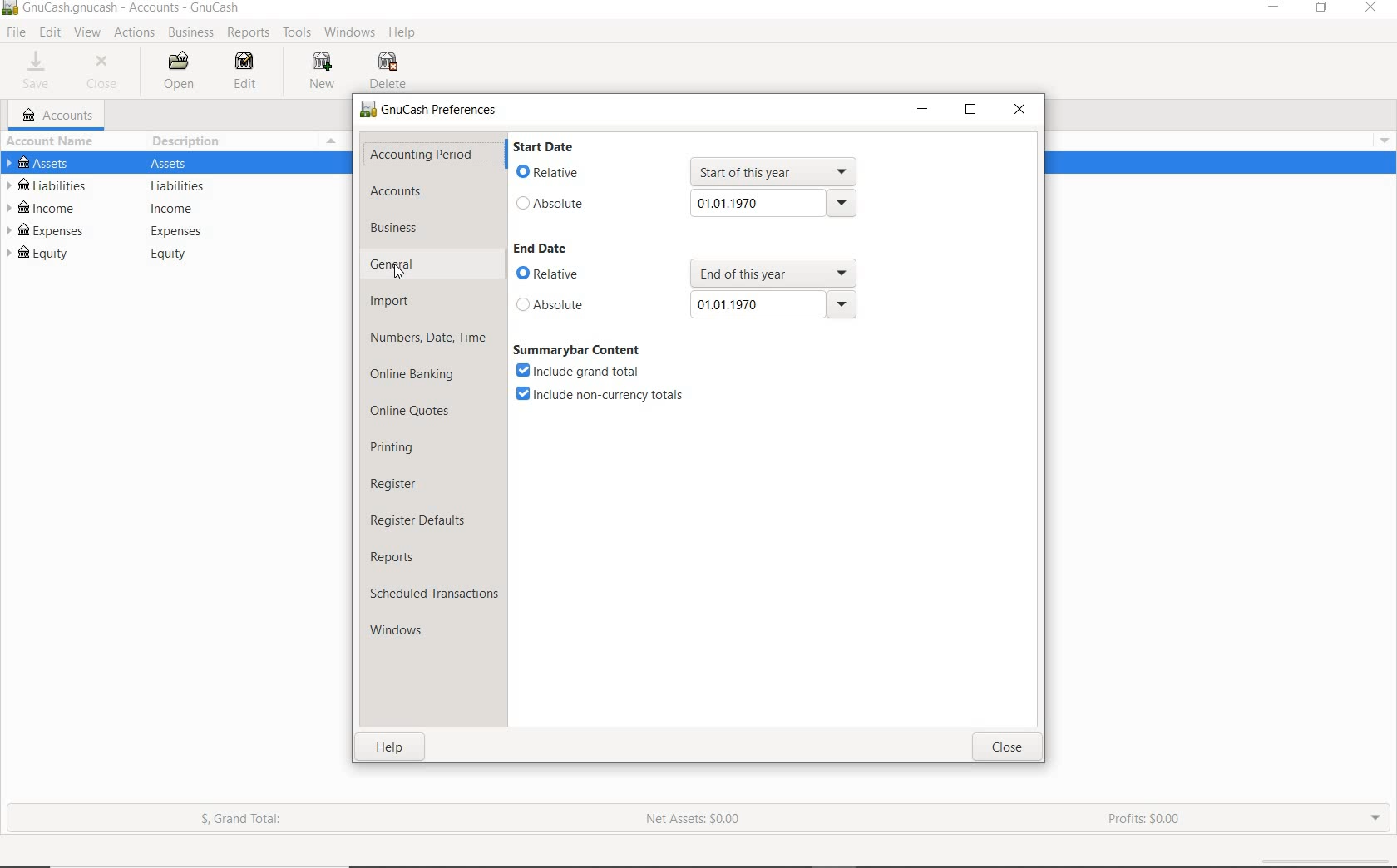  Describe the element at coordinates (923, 111) in the screenshot. I see `MINIMIZE` at that location.